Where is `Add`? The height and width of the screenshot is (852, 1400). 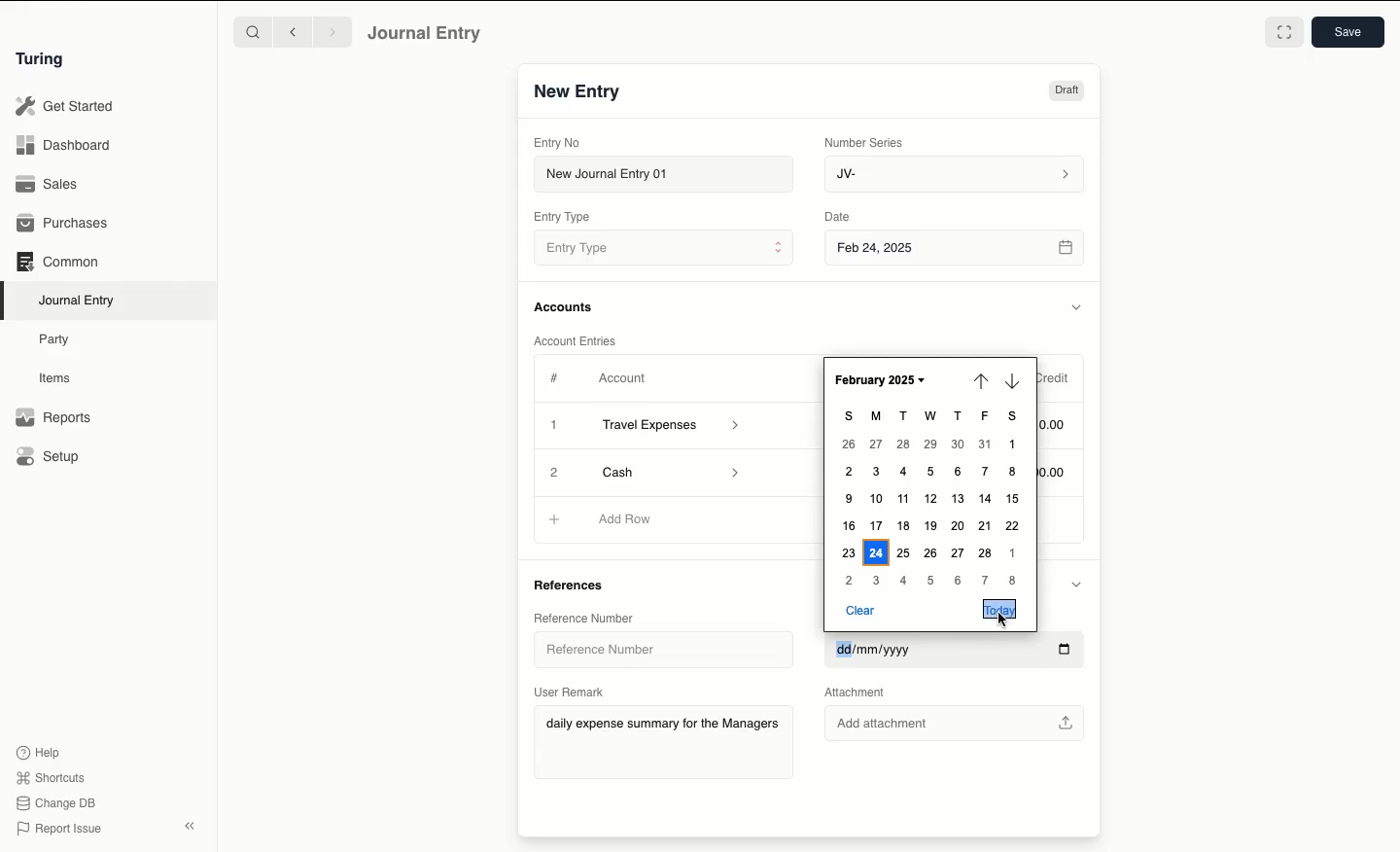 Add is located at coordinates (553, 470).